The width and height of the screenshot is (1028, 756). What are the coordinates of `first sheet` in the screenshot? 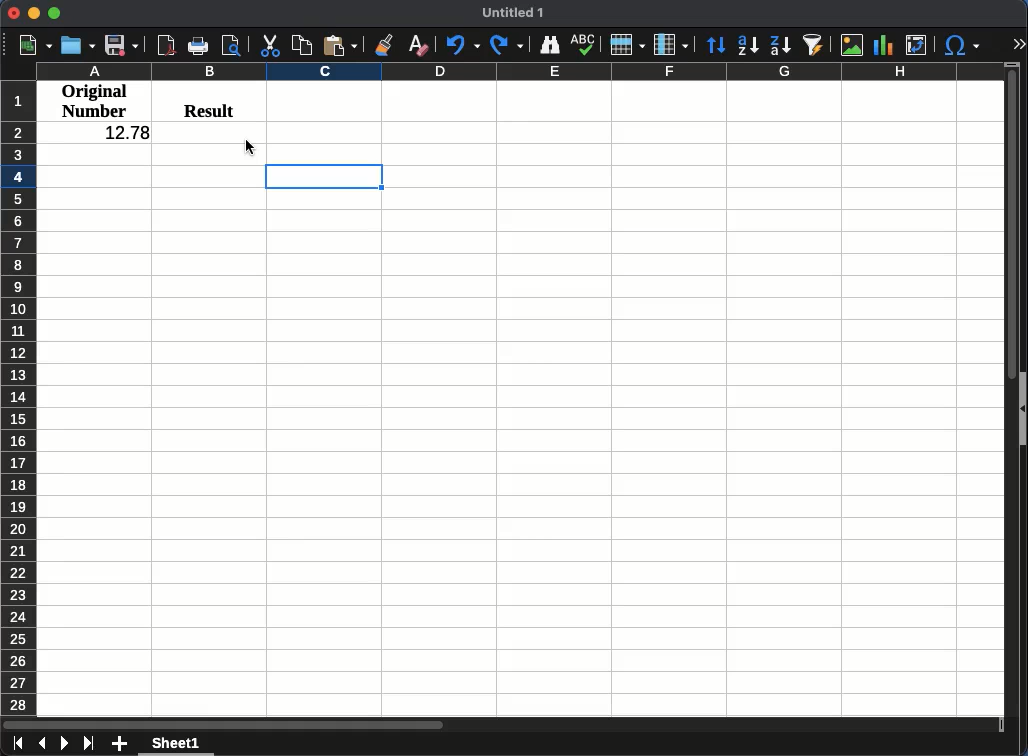 It's located at (15, 745).